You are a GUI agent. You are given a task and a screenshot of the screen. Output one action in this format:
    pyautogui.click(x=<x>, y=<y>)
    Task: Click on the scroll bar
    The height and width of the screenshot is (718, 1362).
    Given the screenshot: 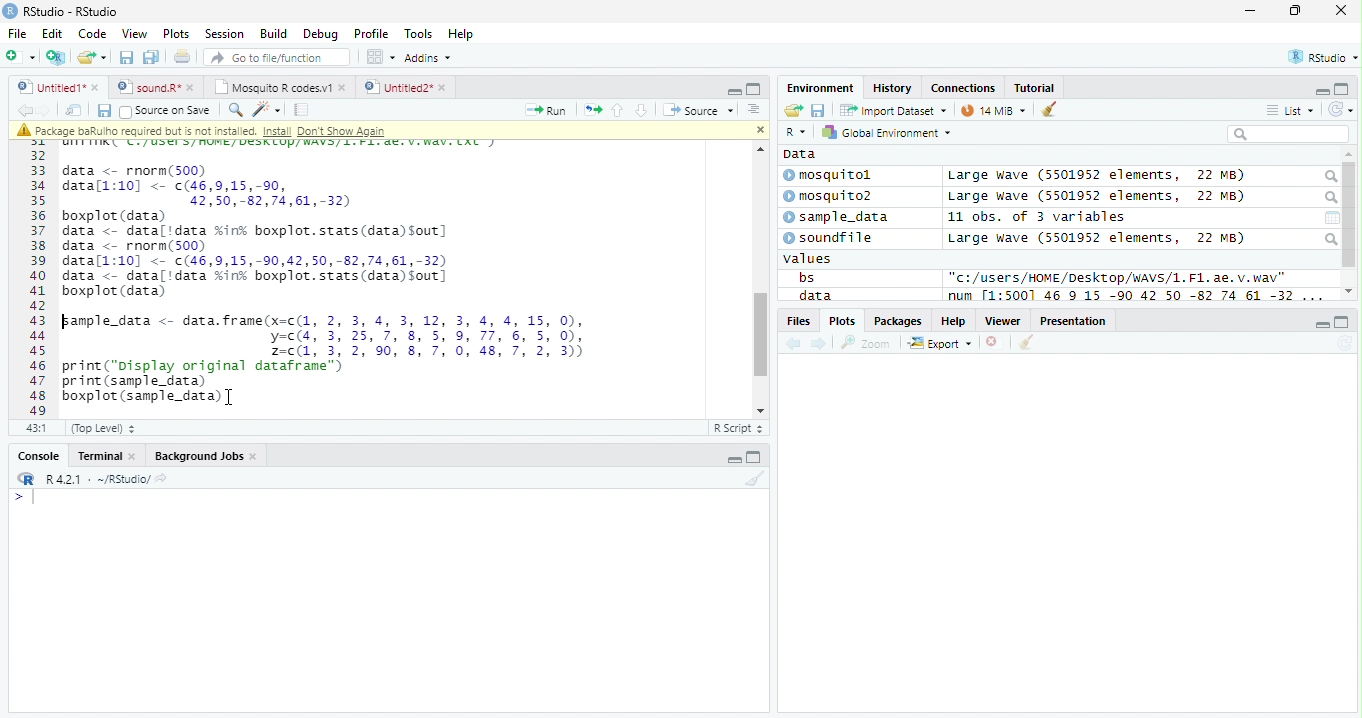 What is the action you would take?
    pyautogui.click(x=1350, y=215)
    